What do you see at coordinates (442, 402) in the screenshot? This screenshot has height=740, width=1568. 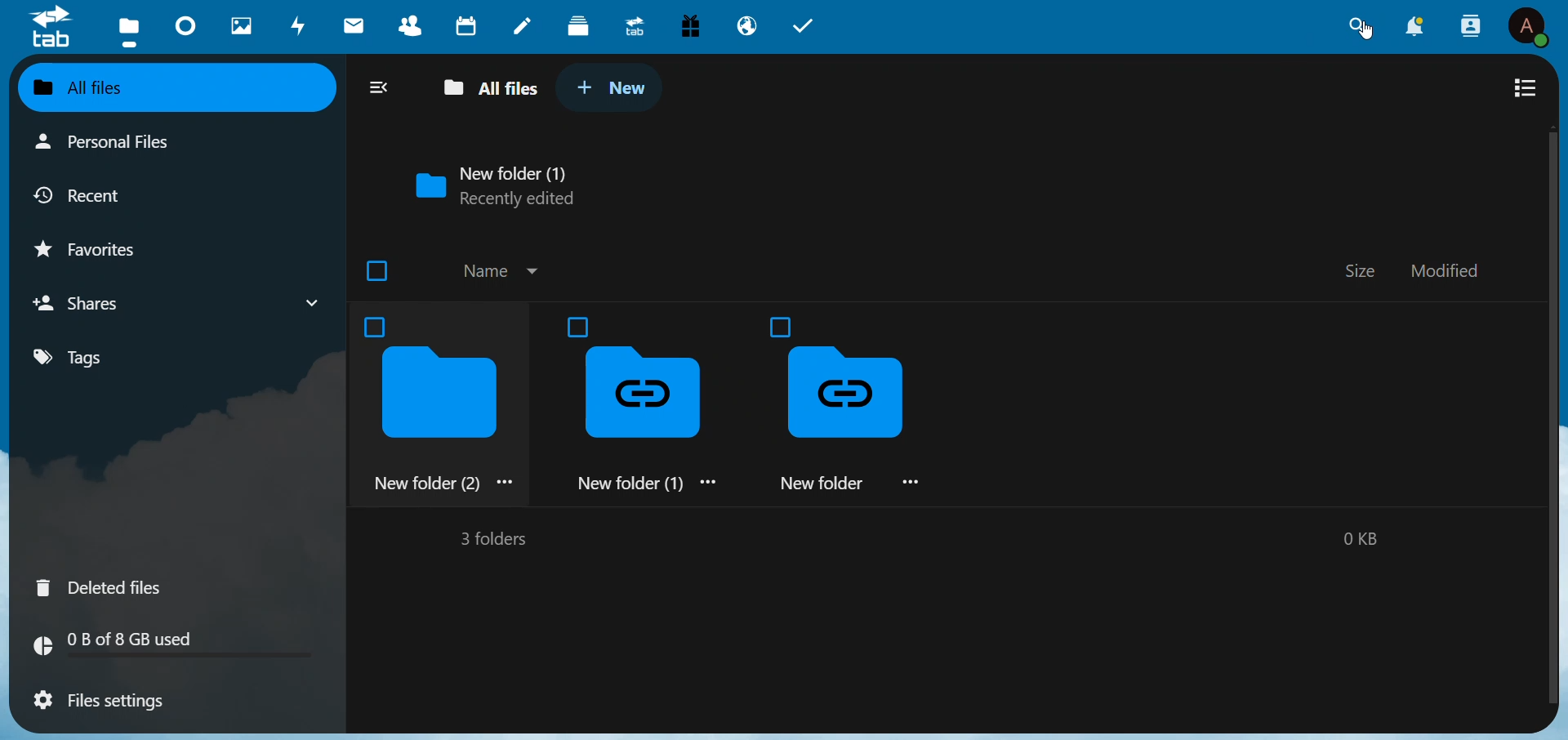 I see `new folder 2` at bounding box center [442, 402].